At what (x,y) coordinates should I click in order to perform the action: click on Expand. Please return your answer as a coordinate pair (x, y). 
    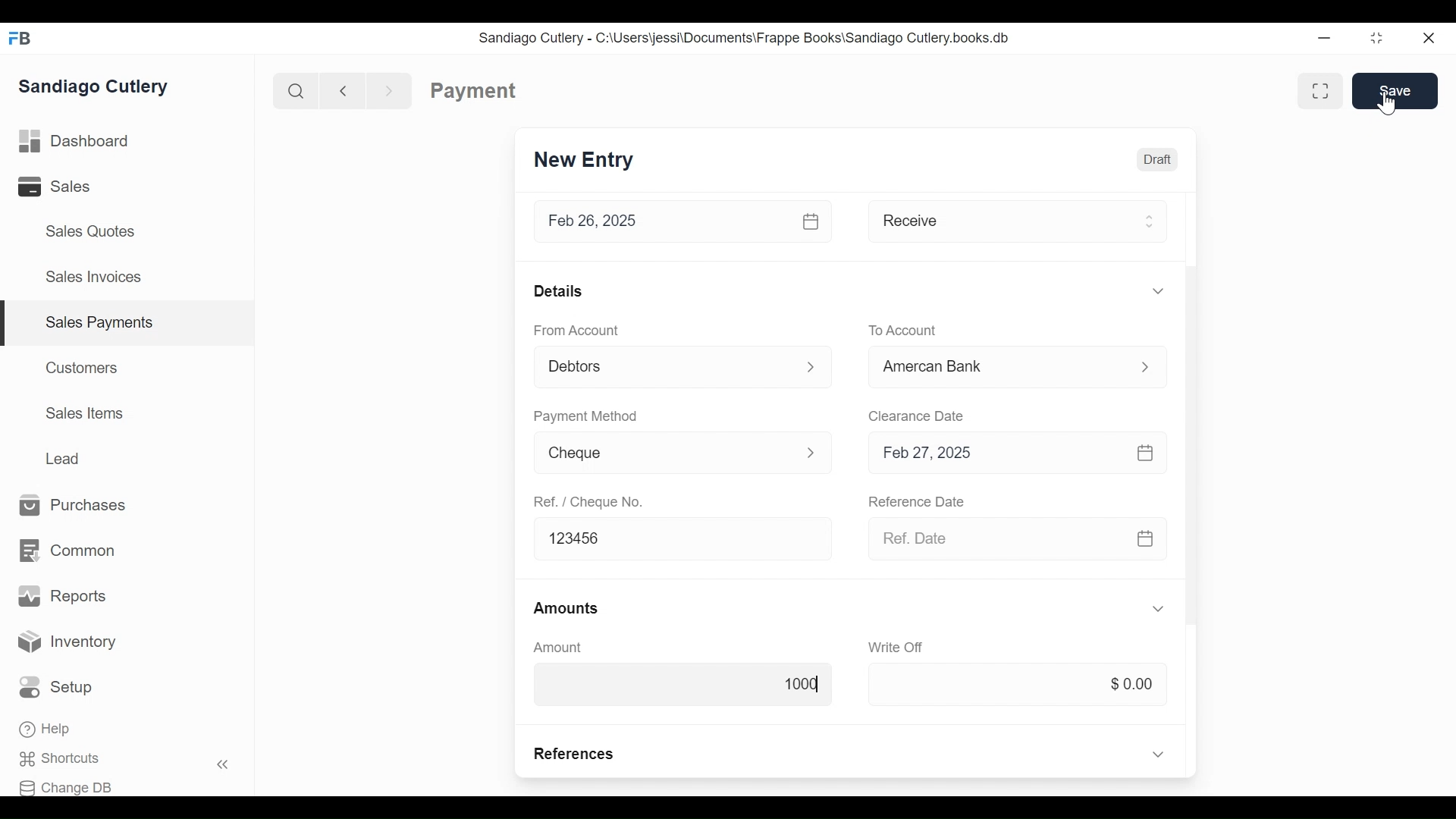
    Looking at the image, I should click on (1158, 753).